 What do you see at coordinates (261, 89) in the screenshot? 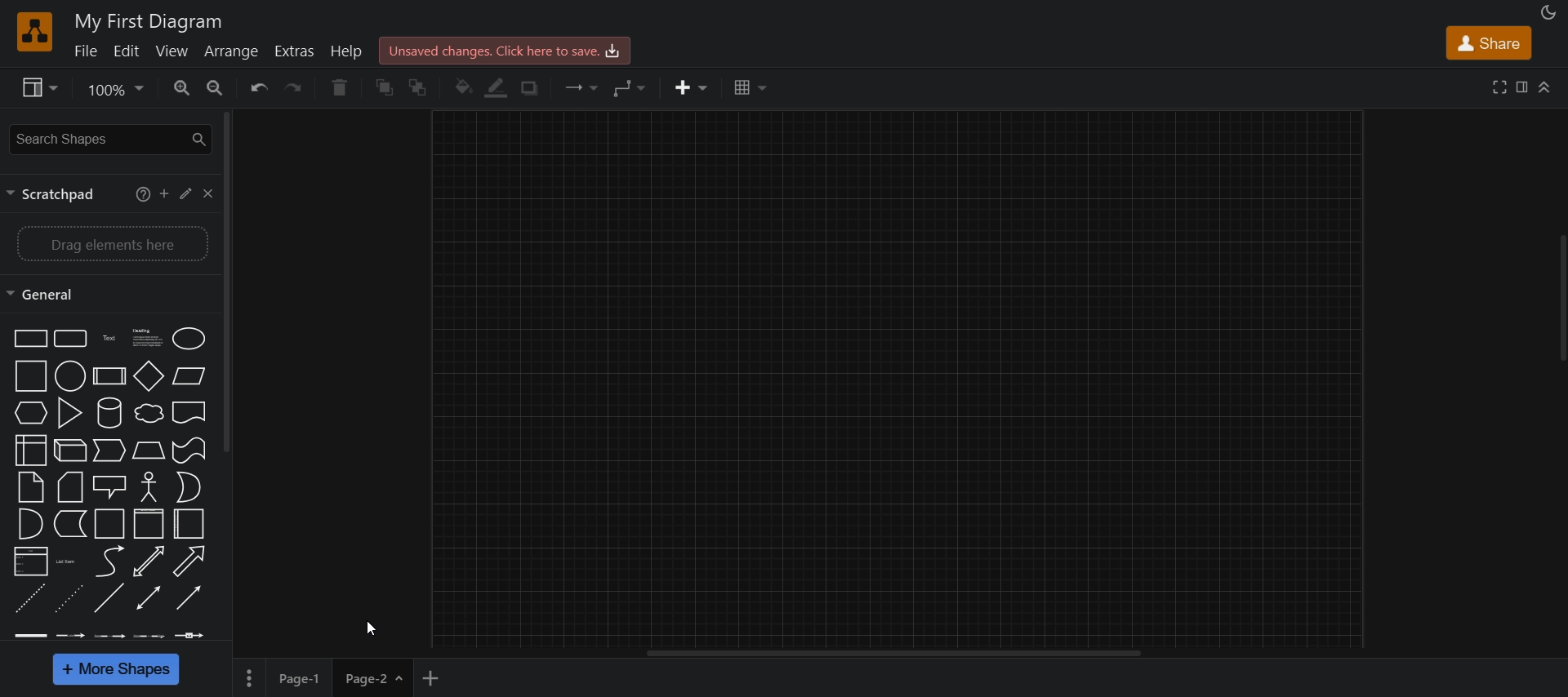
I see `undo ` at bounding box center [261, 89].